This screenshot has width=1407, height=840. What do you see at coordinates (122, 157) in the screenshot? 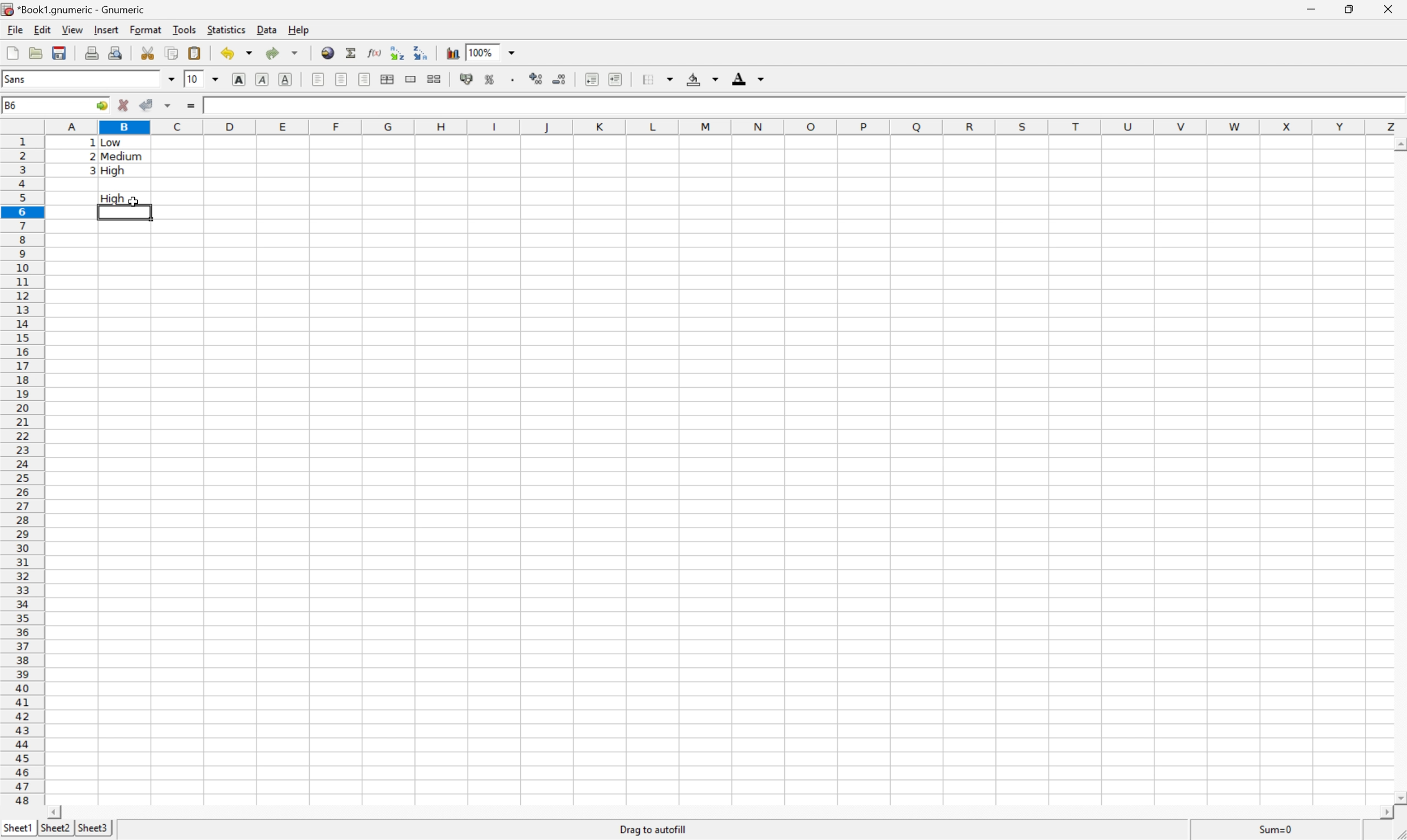
I see `Medium` at bounding box center [122, 157].